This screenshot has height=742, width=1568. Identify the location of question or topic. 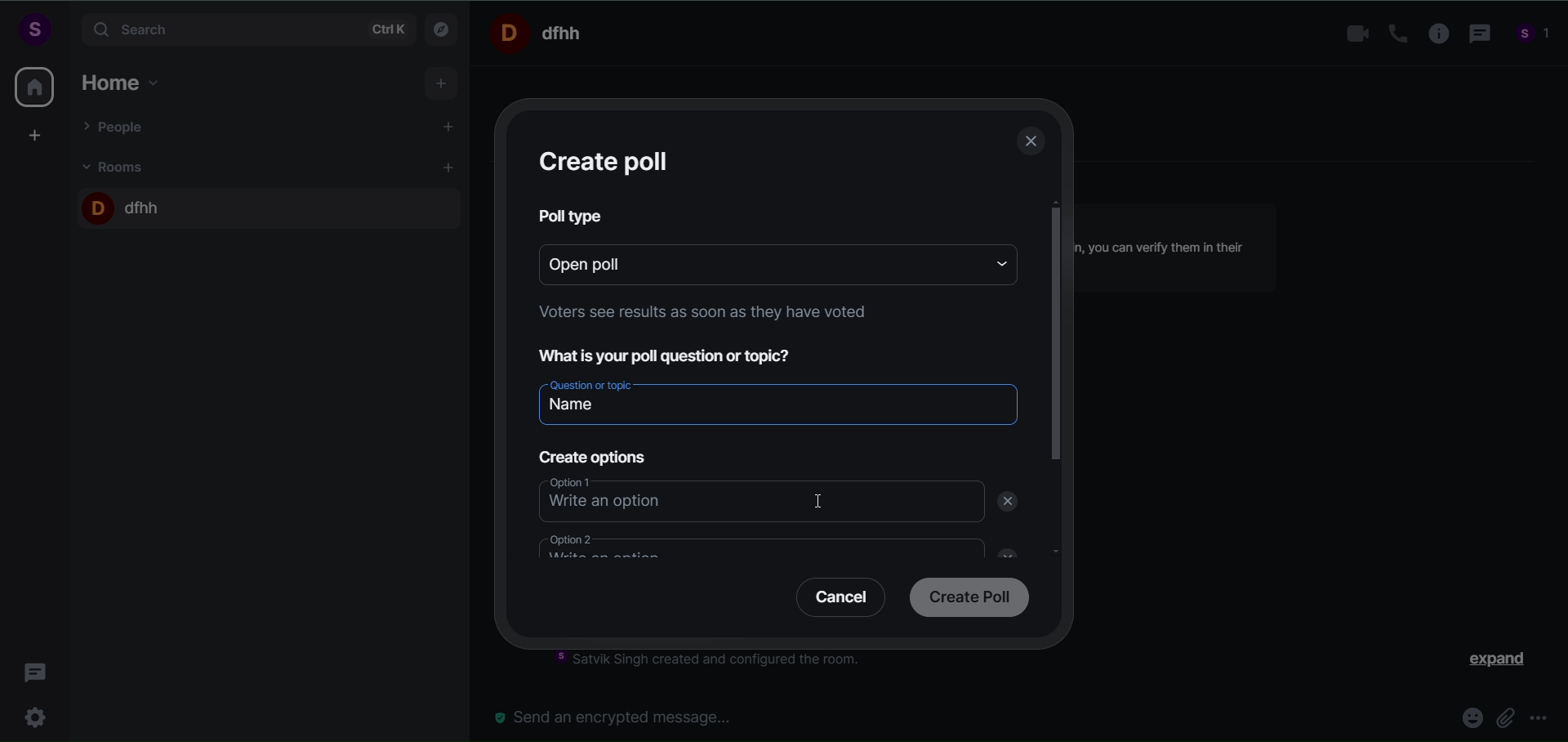
(777, 400).